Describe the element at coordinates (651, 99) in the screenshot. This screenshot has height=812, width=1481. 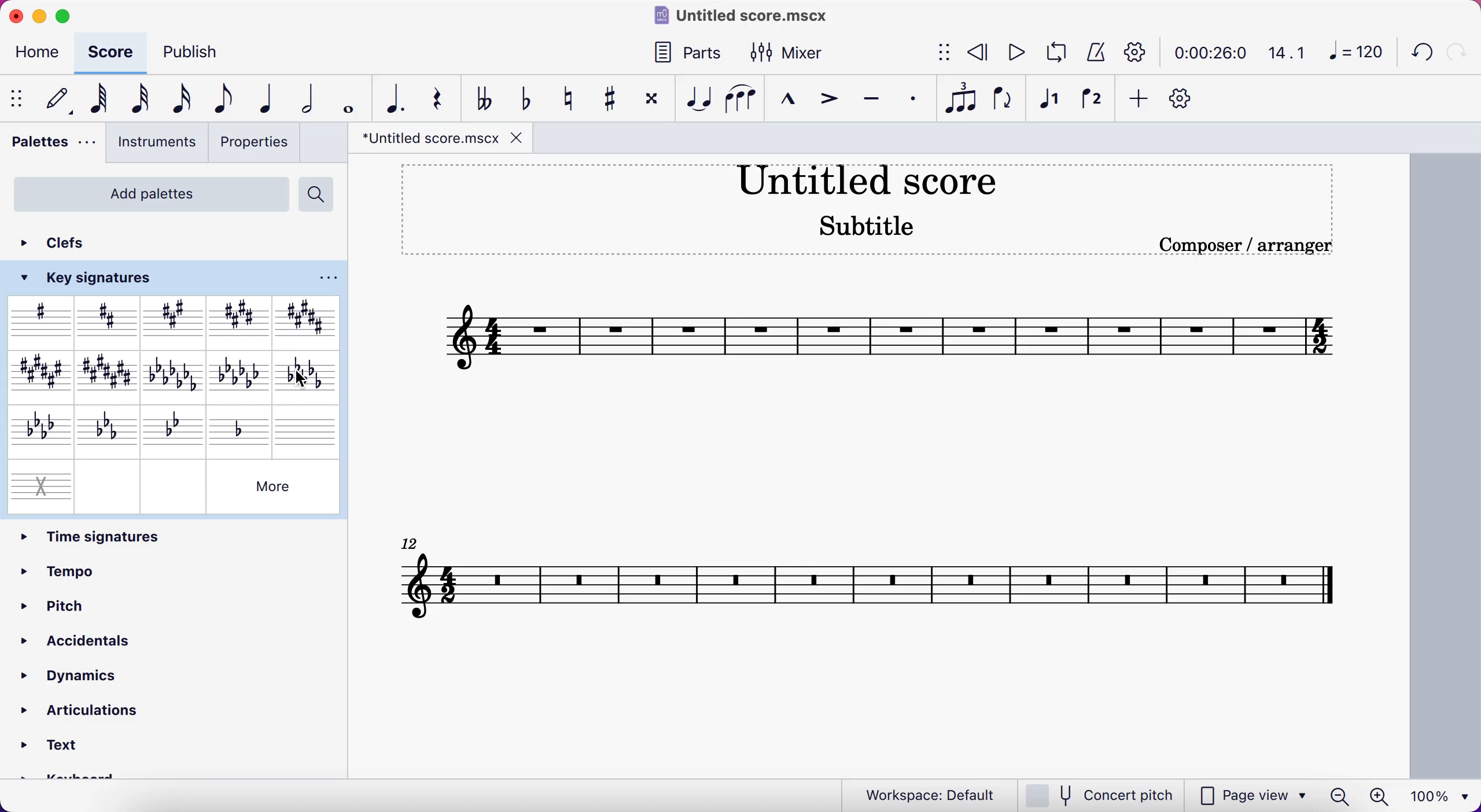
I see `toggle doble sharp` at that location.